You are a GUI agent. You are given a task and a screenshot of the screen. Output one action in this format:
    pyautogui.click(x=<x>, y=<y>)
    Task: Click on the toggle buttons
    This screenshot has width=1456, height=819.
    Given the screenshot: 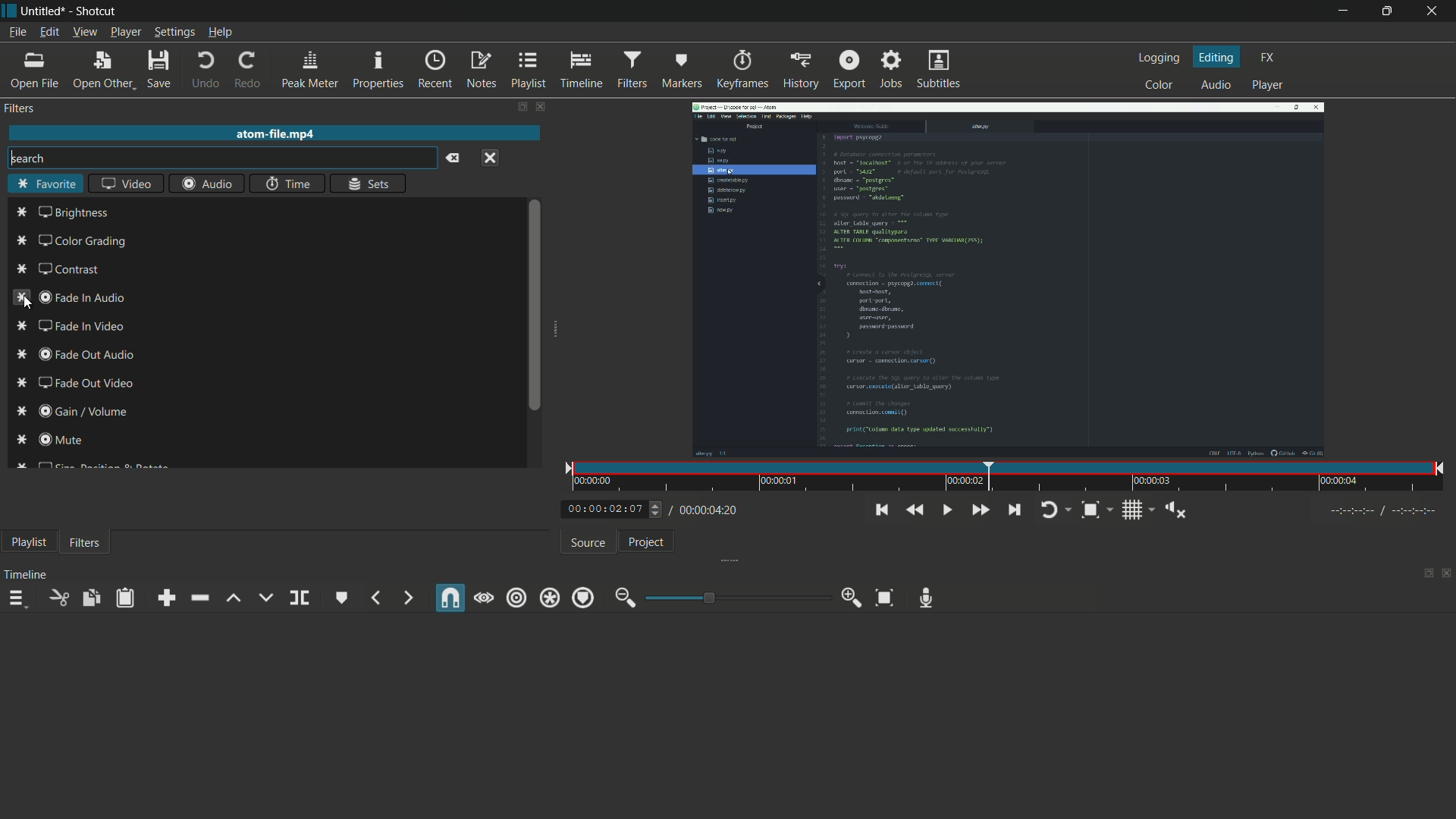 What is the action you would take?
    pyautogui.click(x=657, y=510)
    